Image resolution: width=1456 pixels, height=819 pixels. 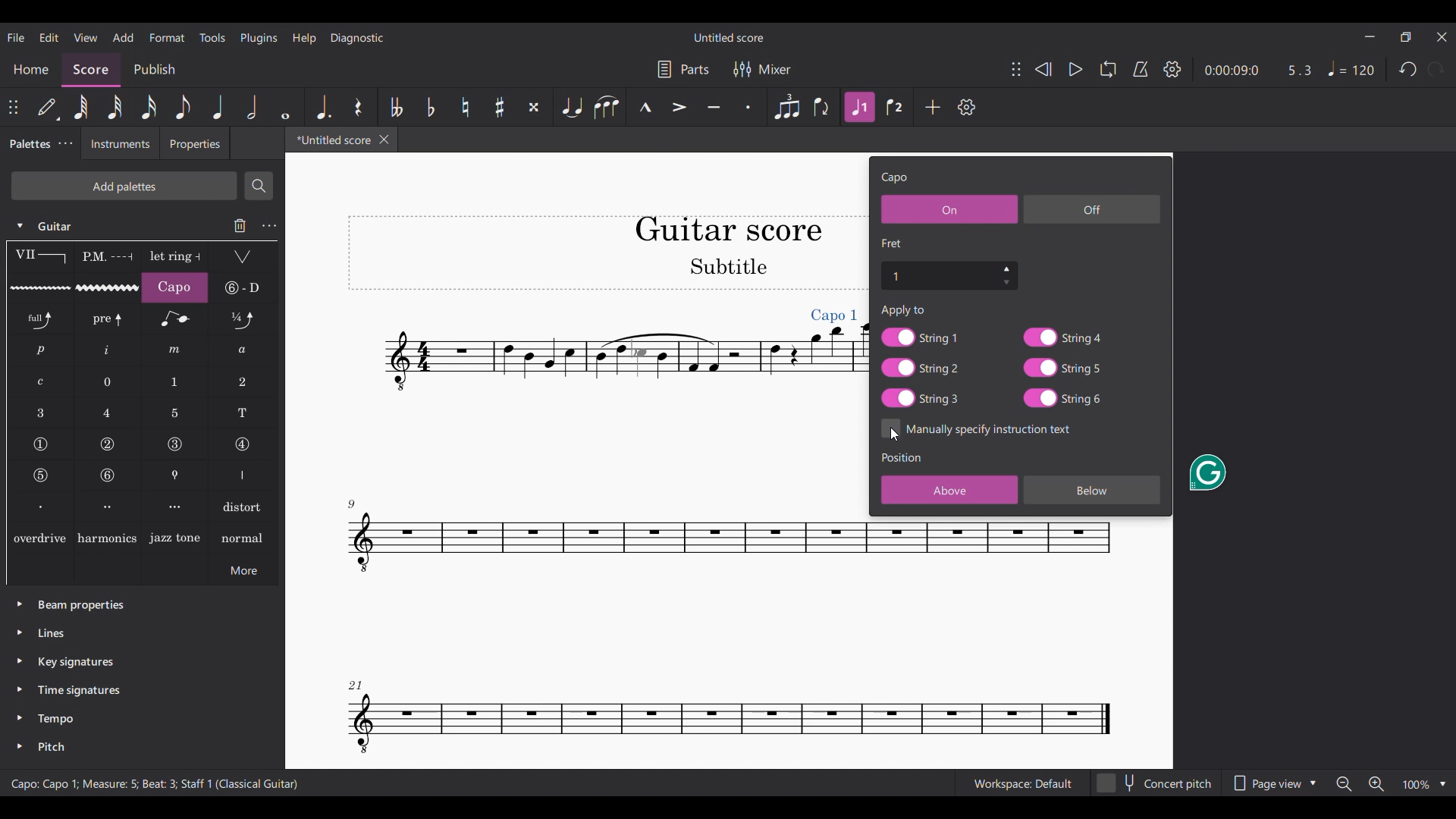 I want to click on LH guitar fingering 0, so click(x=108, y=381).